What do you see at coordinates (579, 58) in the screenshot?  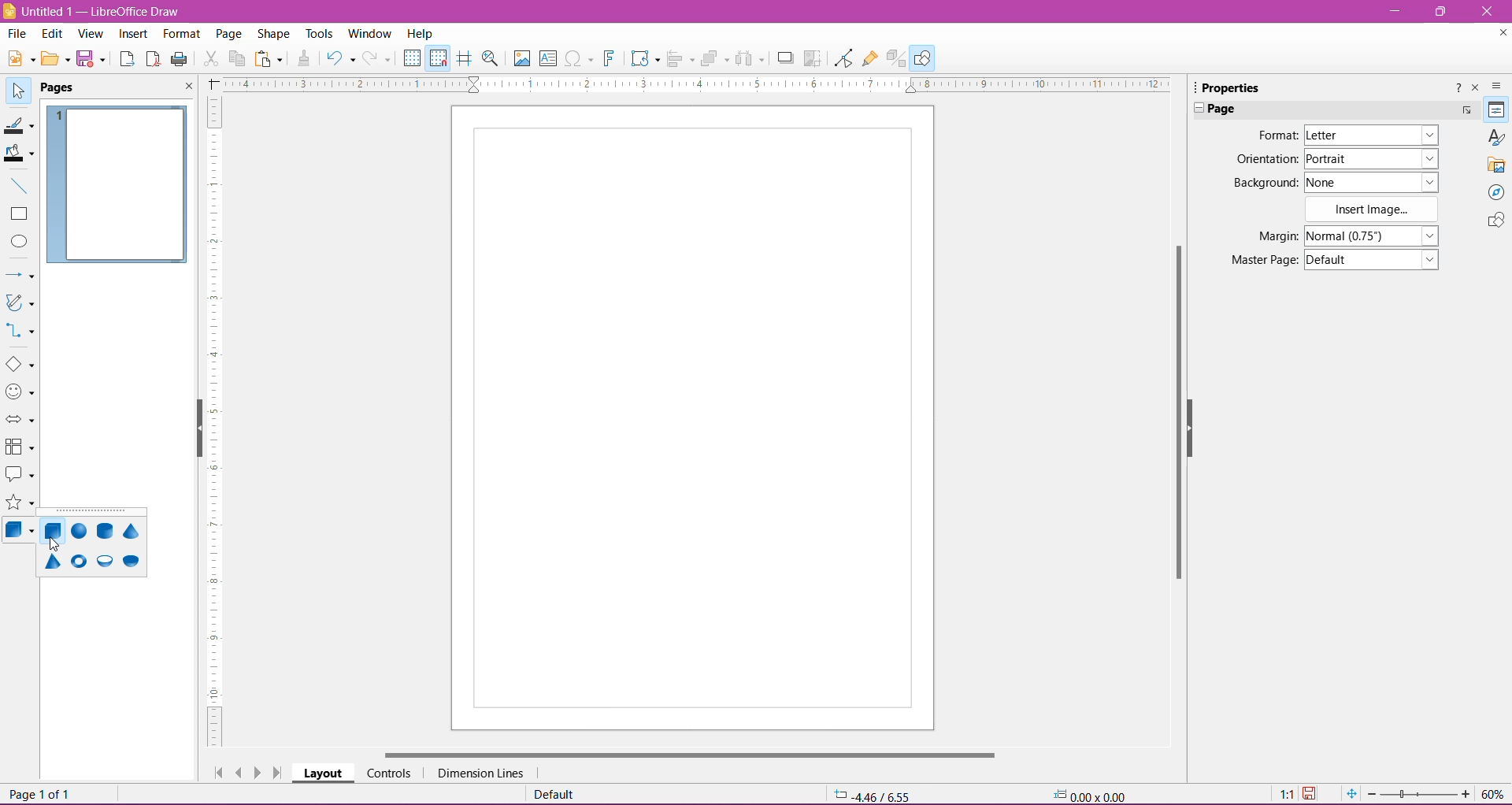 I see `Insert Special Characters` at bounding box center [579, 58].